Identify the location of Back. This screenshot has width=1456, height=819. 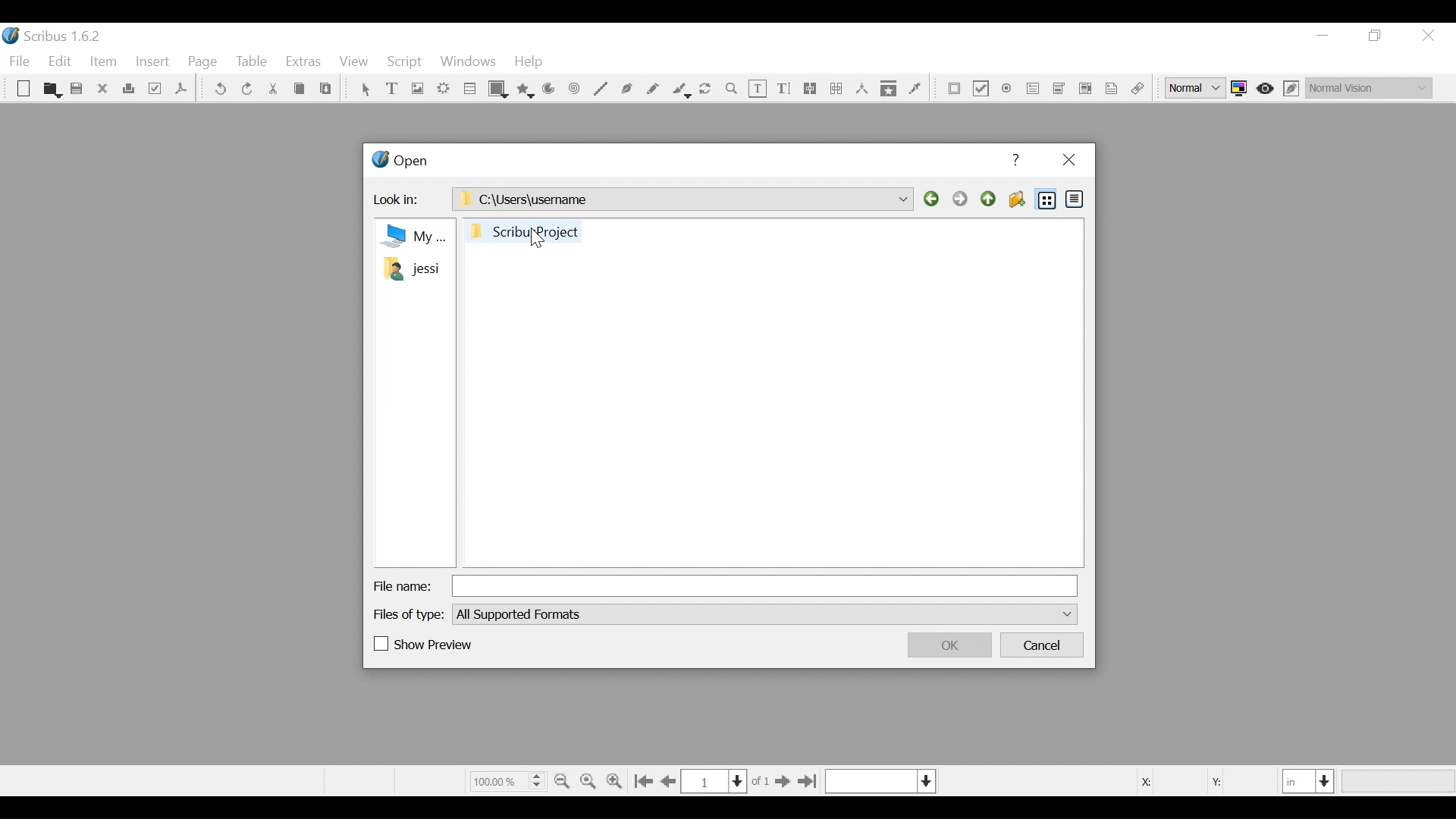
(934, 199).